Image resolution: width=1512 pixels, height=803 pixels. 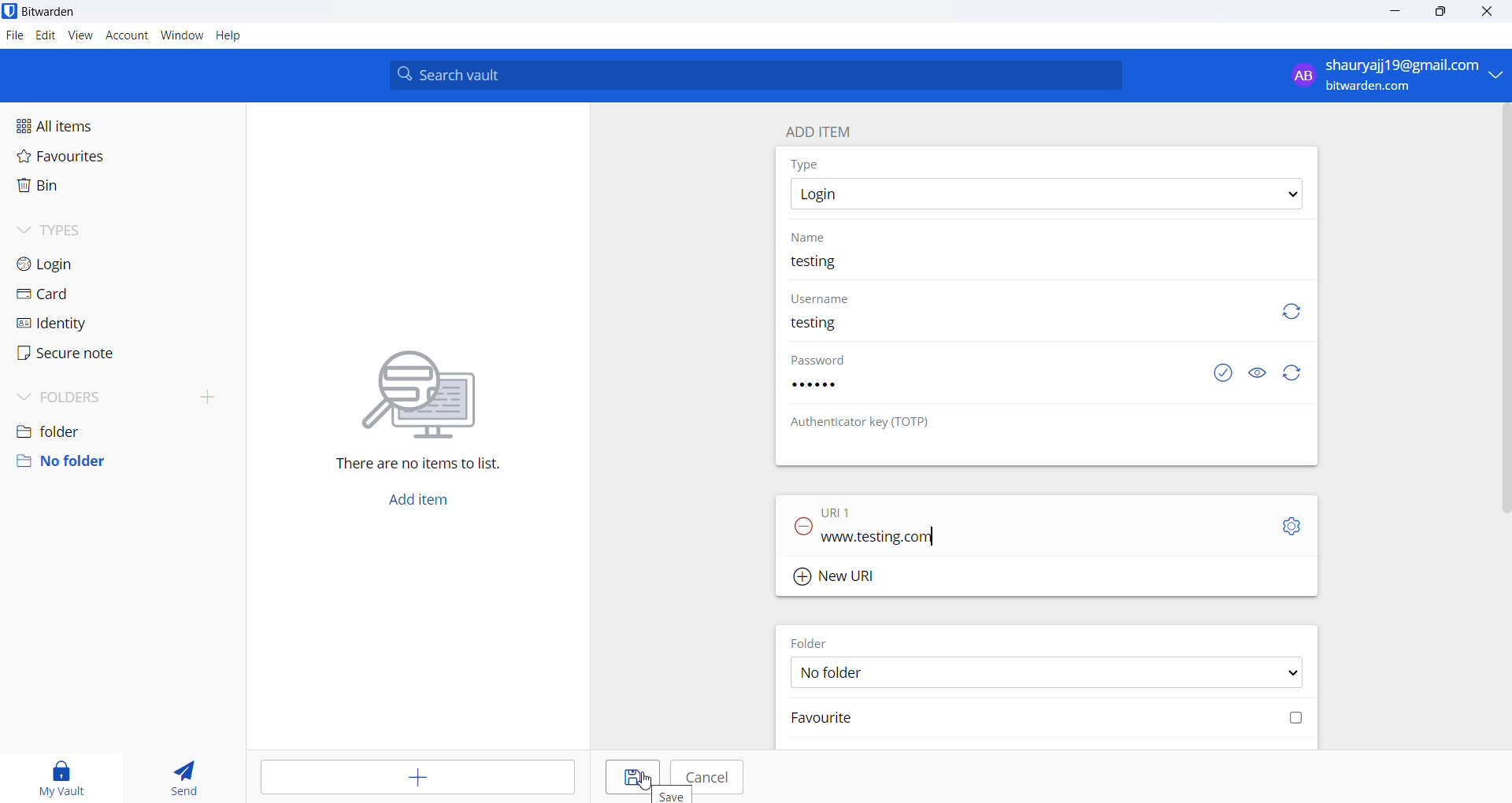 What do you see at coordinates (821, 299) in the screenshot?
I see `username heading` at bounding box center [821, 299].